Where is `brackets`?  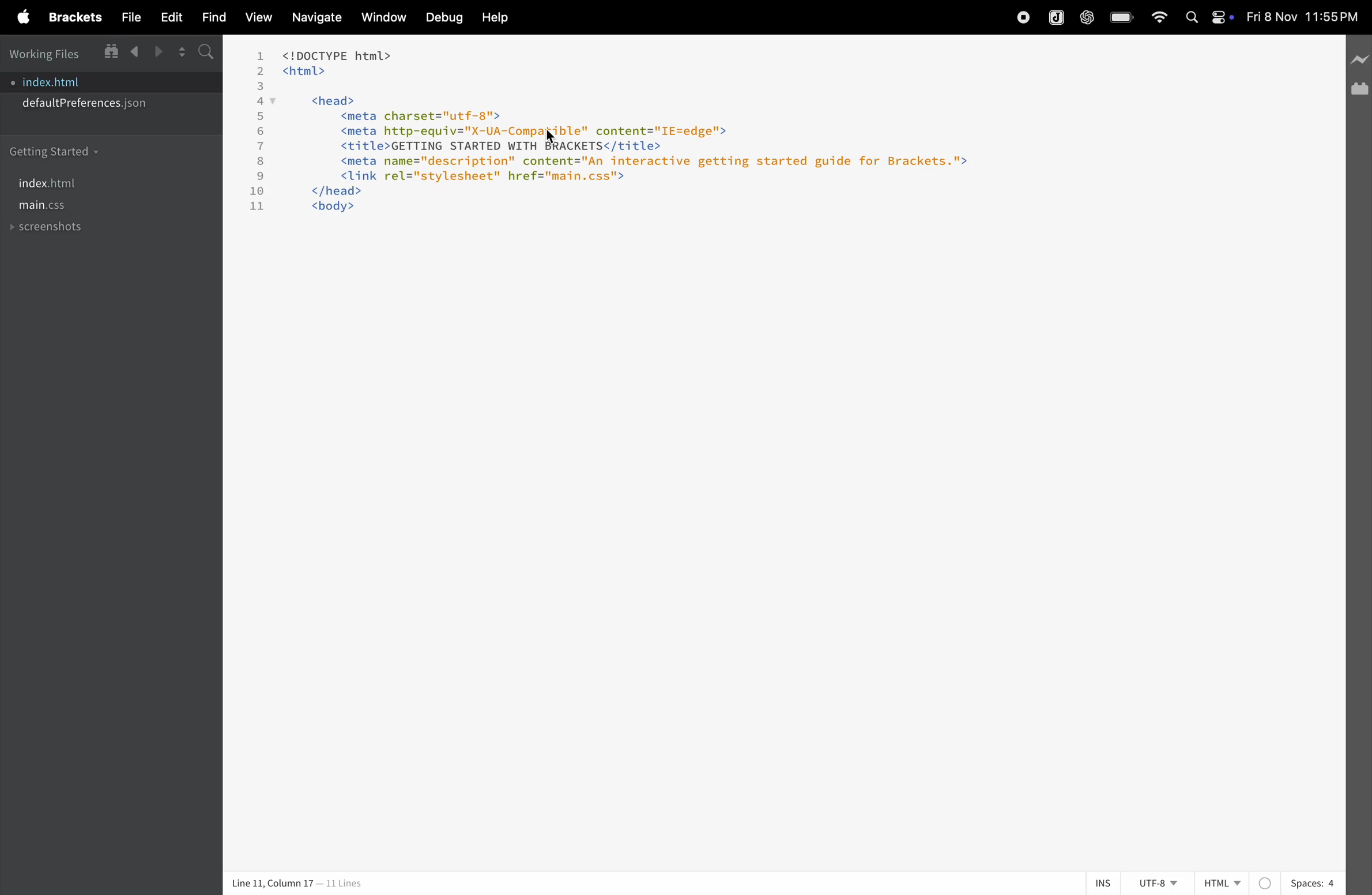 brackets is located at coordinates (72, 17).